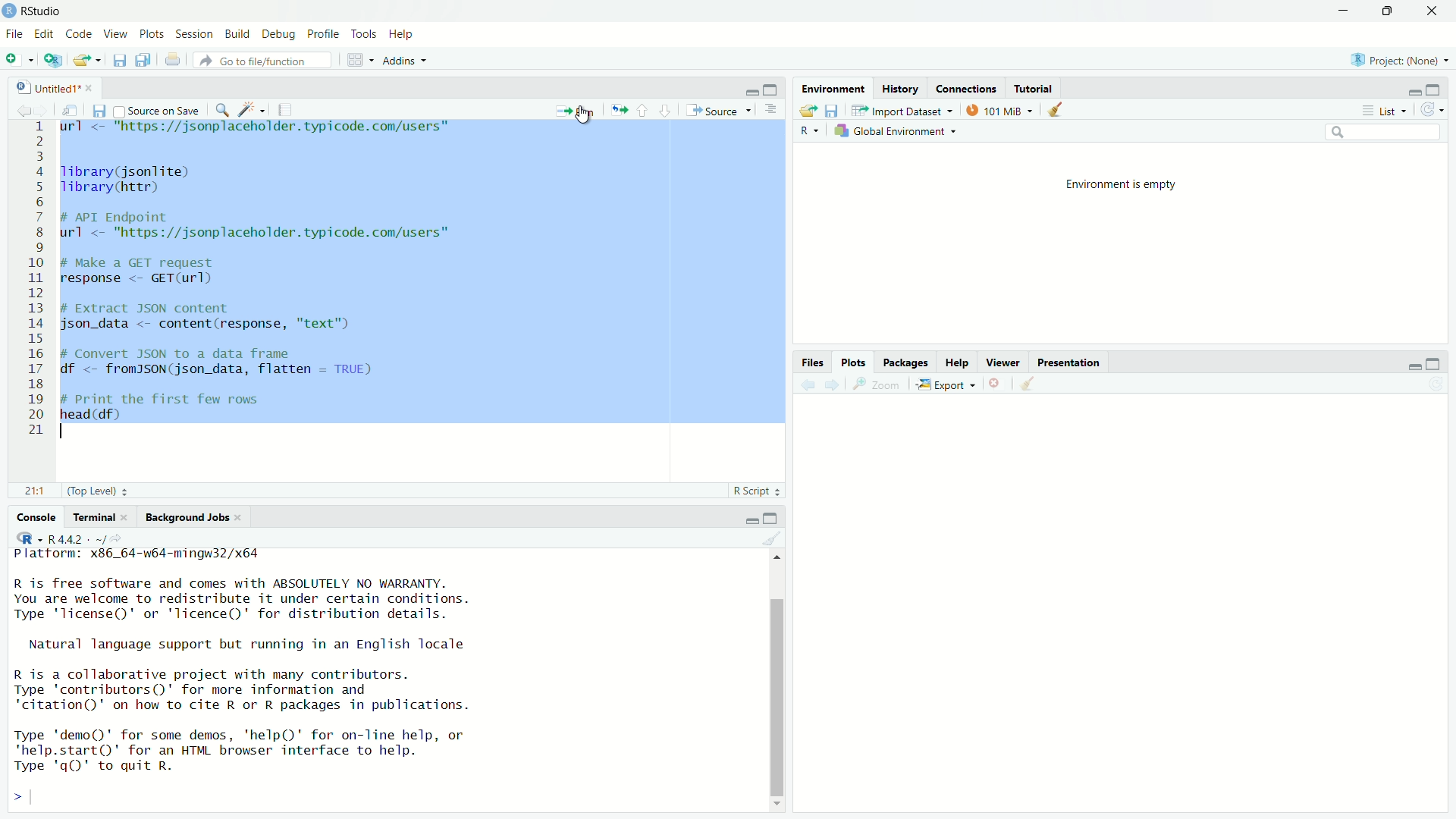 This screenshot has width=1456, height=819. I want to click on Minimize, so click(749, 520).